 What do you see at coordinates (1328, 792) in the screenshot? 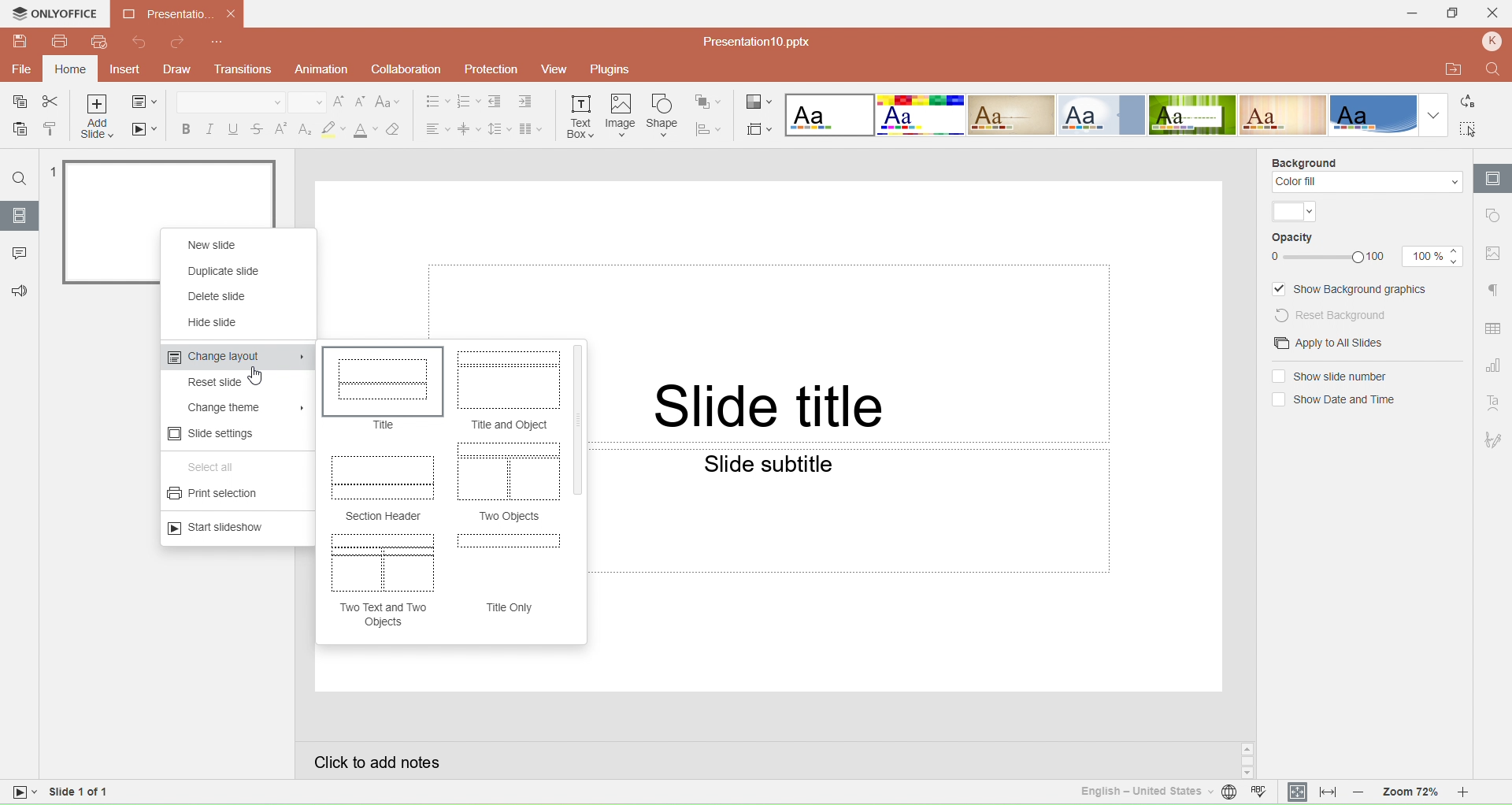
I see `Fit to width` at bounding box center [1328, 792].